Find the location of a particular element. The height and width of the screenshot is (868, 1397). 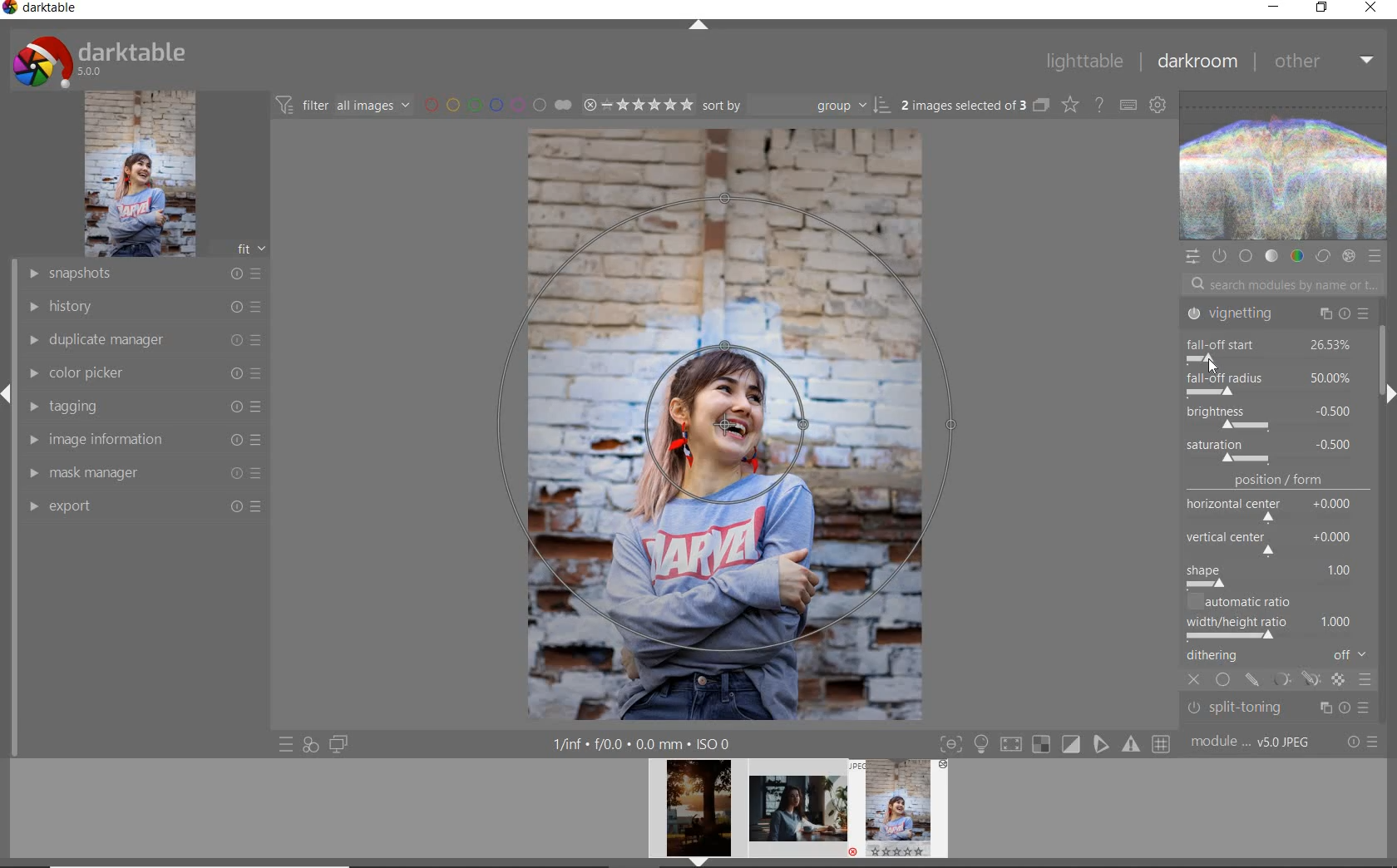

quick access for applying any of your style is located at coordinates (309, 744).